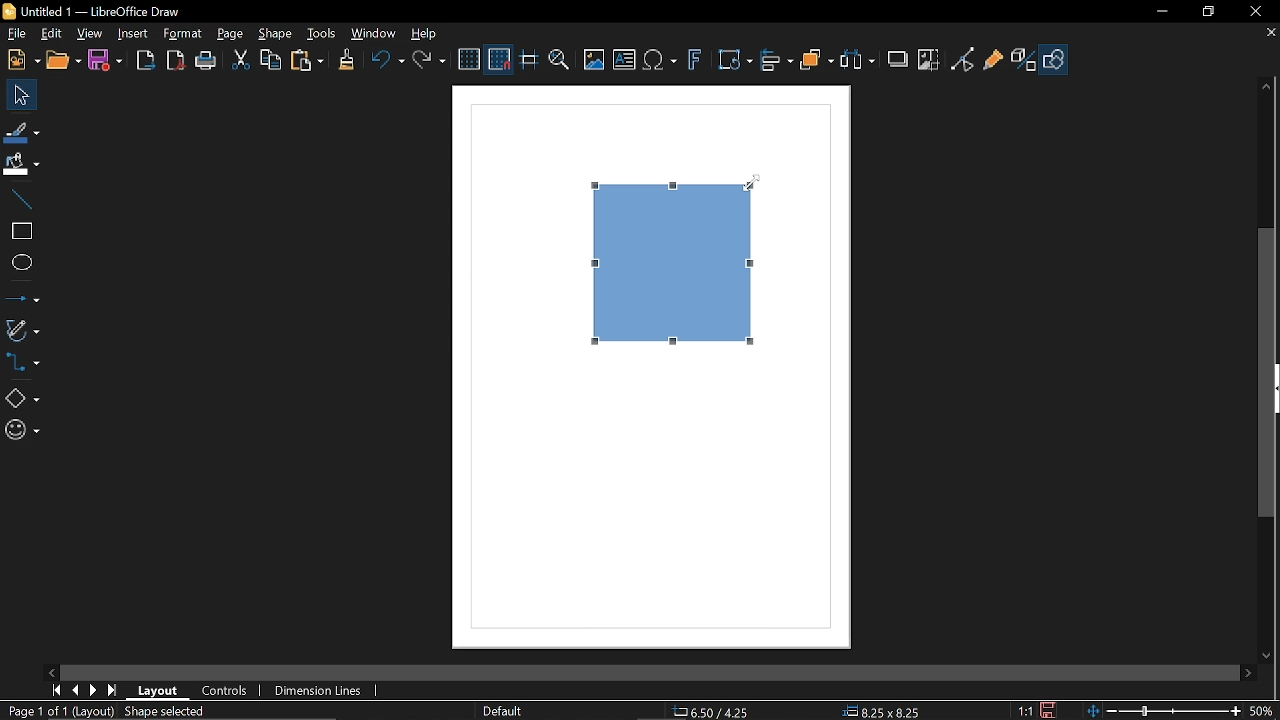 Image resolution: width=1280 pixels, height=720 pixels. What do you see at coordinates (20, 230) in the screenshot?
I see `Rectangle` at bounding box center [20, 230].